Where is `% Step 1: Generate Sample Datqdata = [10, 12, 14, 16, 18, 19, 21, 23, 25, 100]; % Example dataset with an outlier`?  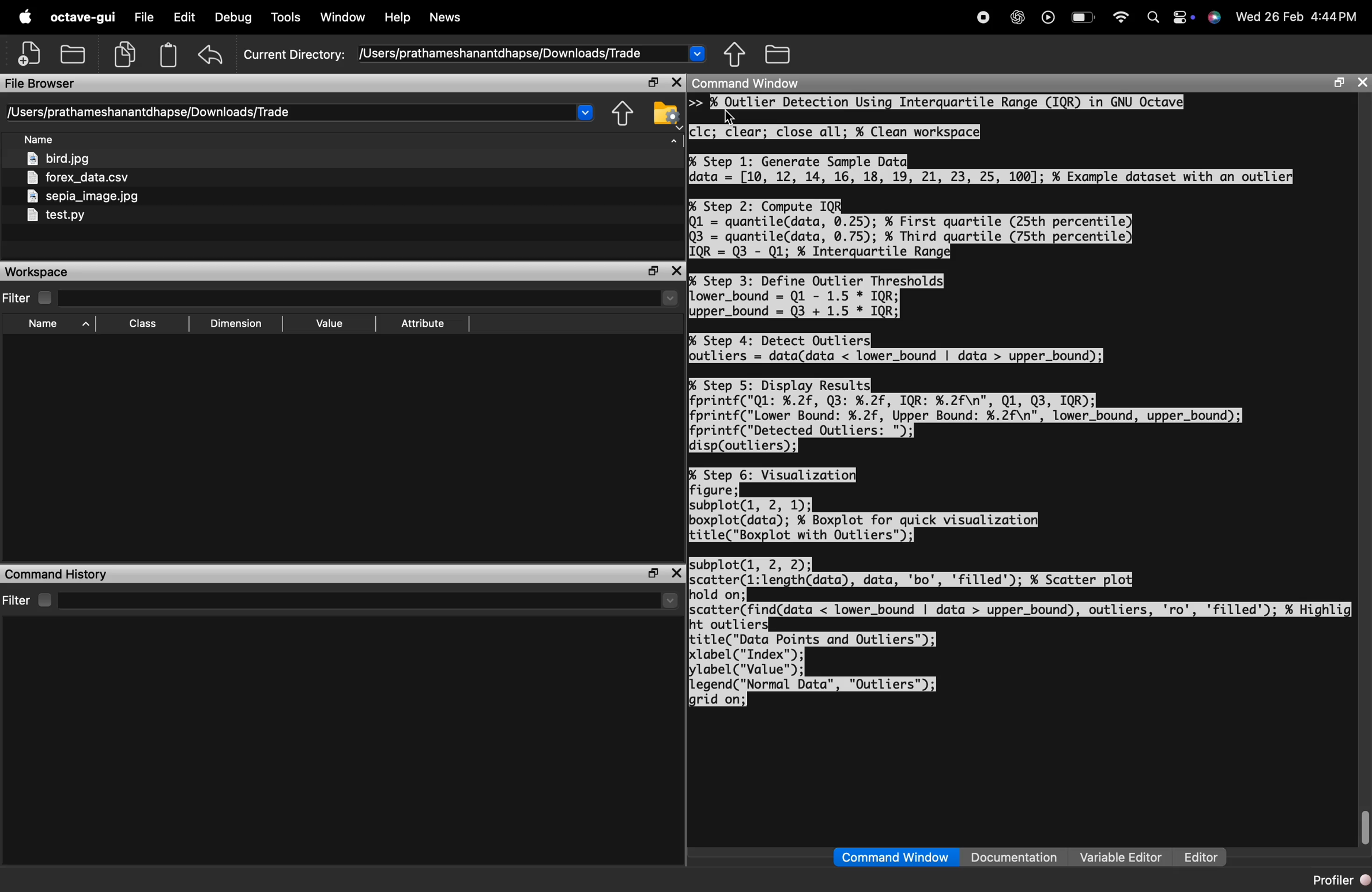 % Step 1: Generate Sample Datqdata = [10, 12, 14, 16, 18, 19, 21, 23, 25, 100]; % Example dataset with an outlier is located at coordinates (993, 169).